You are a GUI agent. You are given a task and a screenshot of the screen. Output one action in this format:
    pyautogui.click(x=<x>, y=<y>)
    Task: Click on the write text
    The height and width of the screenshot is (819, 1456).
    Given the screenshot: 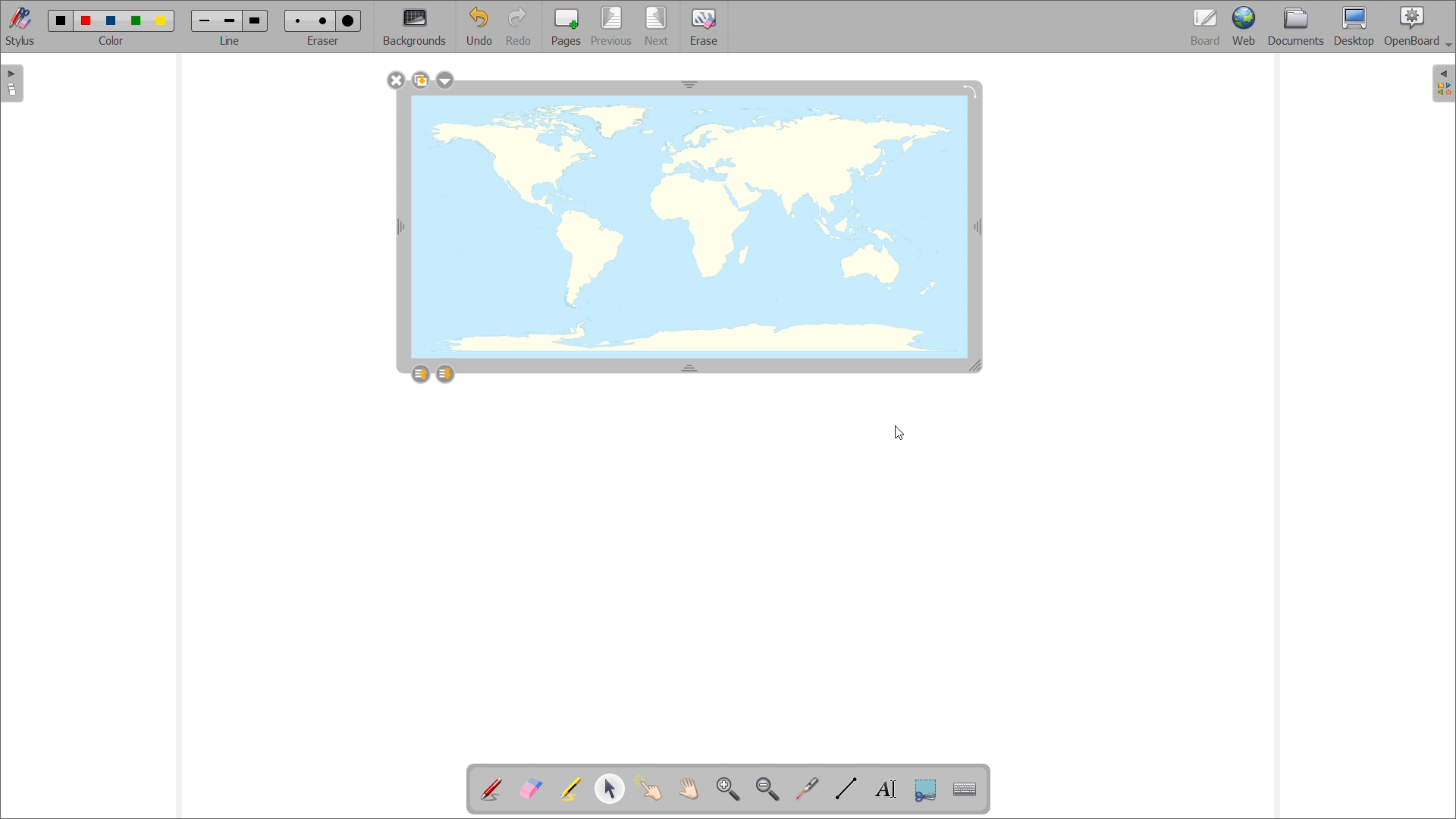 What is the action you would take?
    pyautogui.click(x=886, y=789)
    